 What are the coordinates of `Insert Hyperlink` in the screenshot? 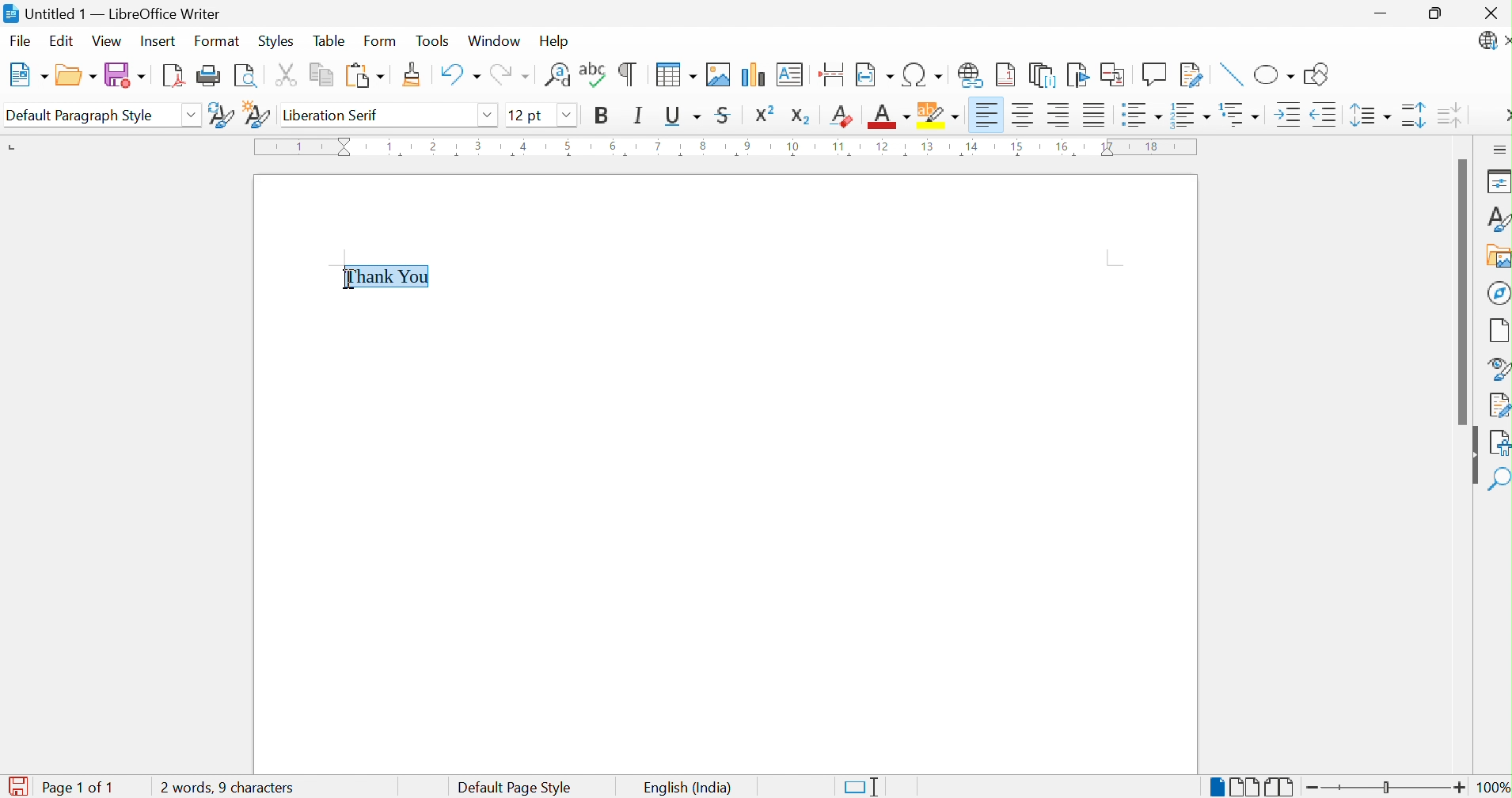 It's located at (971, 76).